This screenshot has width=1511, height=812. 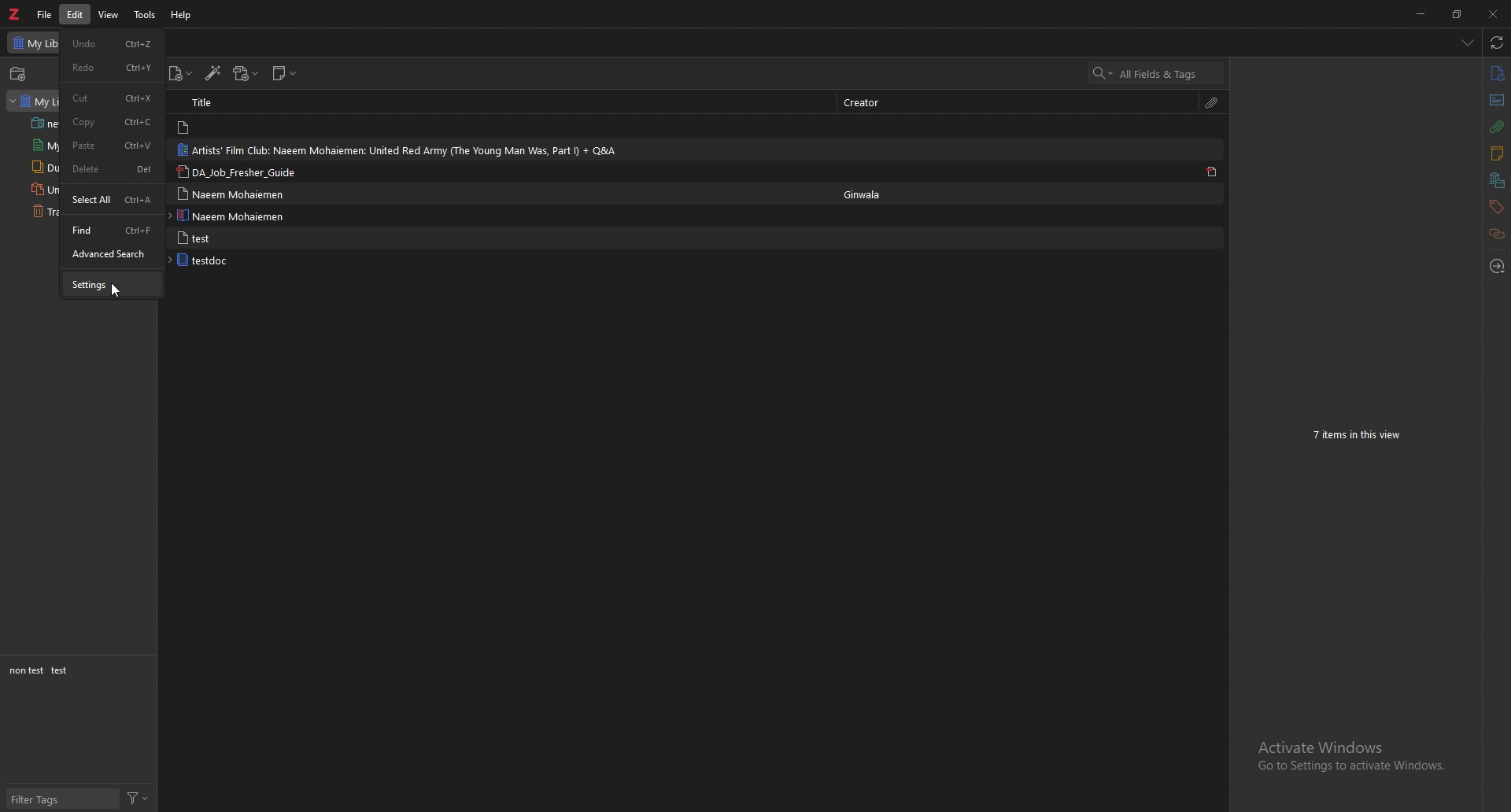 I want to click on pdf, so click(x=1214, y=173).